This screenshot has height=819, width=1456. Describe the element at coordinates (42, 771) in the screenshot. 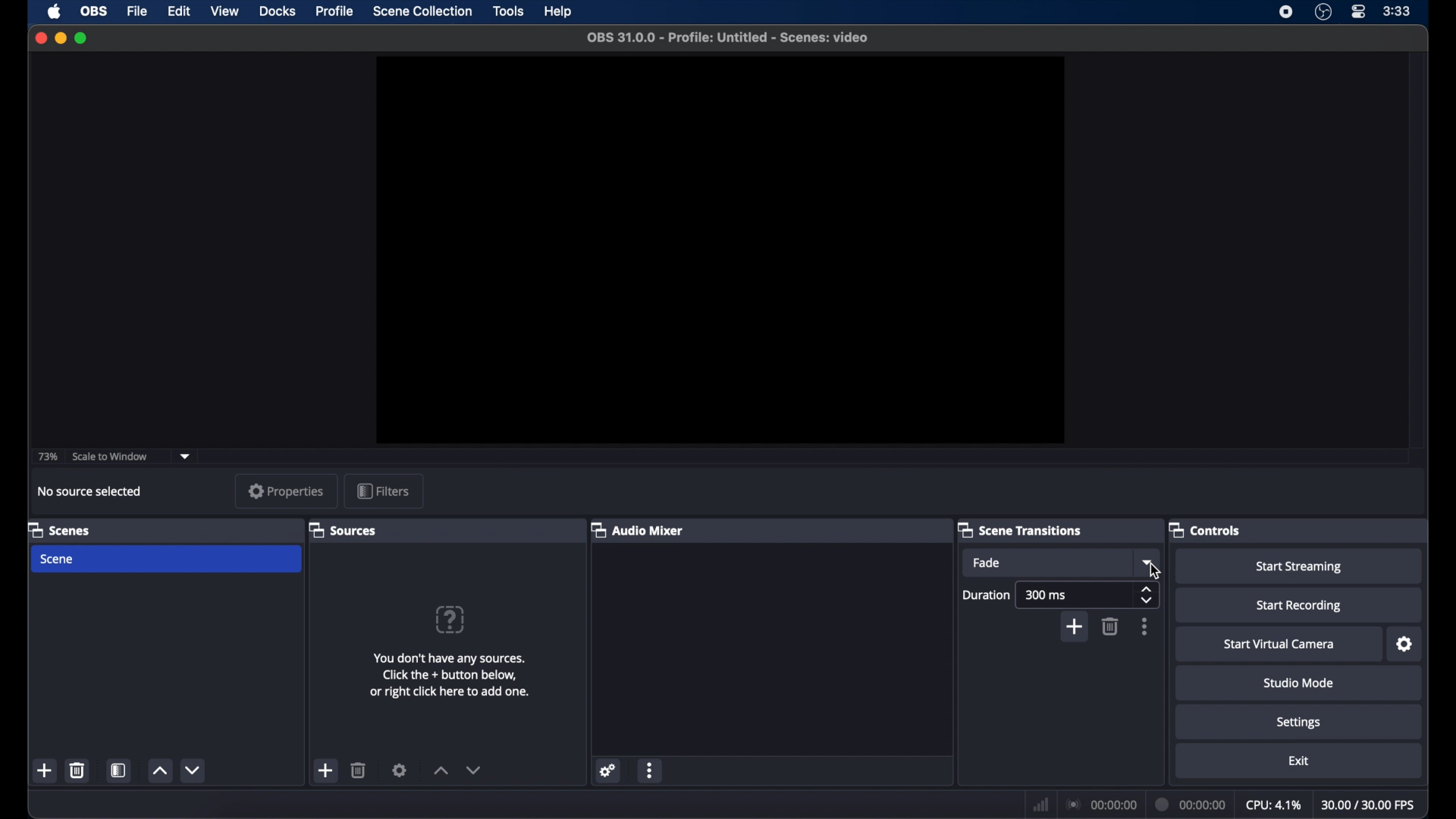

I see `add` at that location.